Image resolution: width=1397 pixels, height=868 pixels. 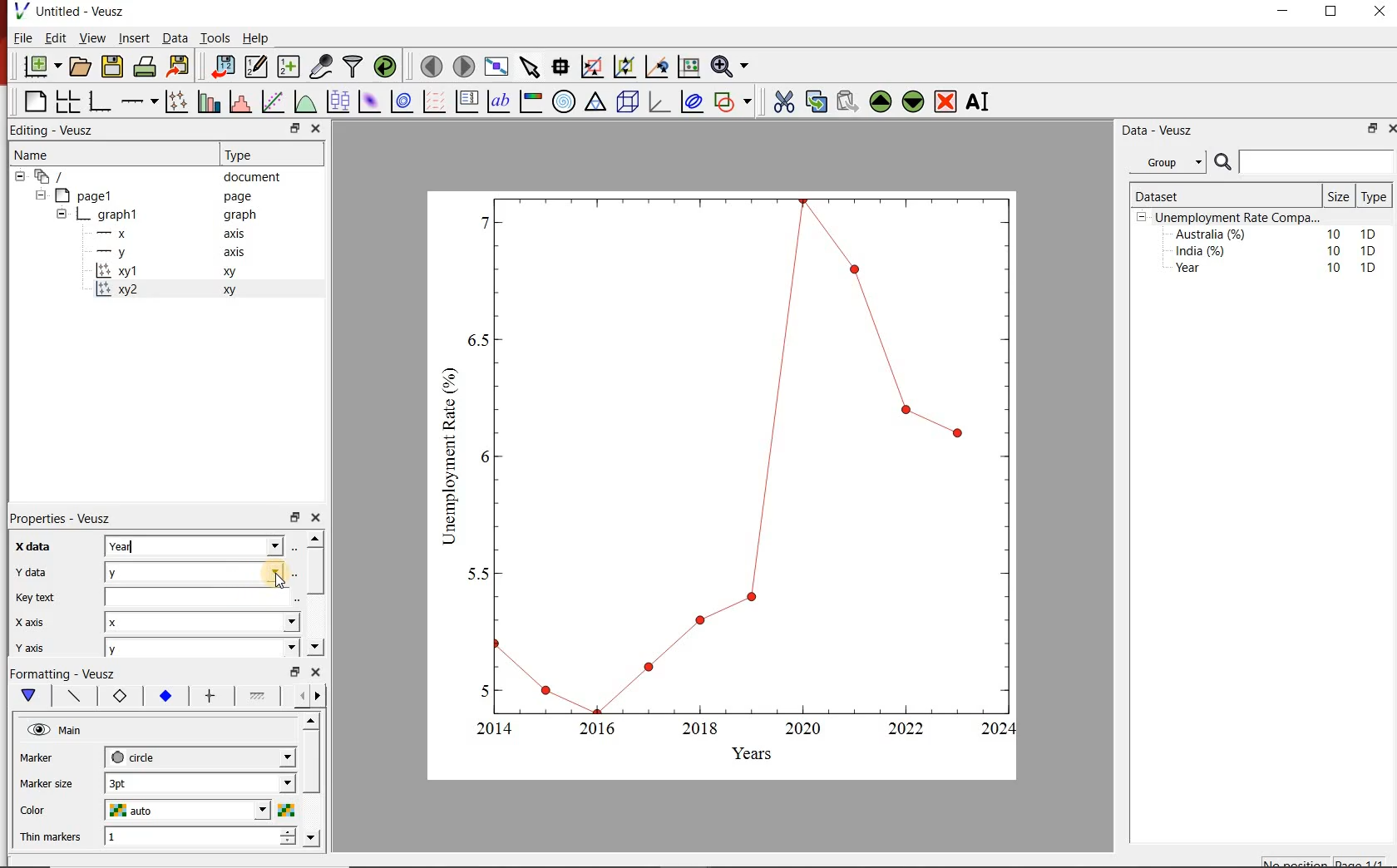 What do you see at coordinates (48, 760) in the screenshot?
I see `MArker` at bounding box center [48, 760].